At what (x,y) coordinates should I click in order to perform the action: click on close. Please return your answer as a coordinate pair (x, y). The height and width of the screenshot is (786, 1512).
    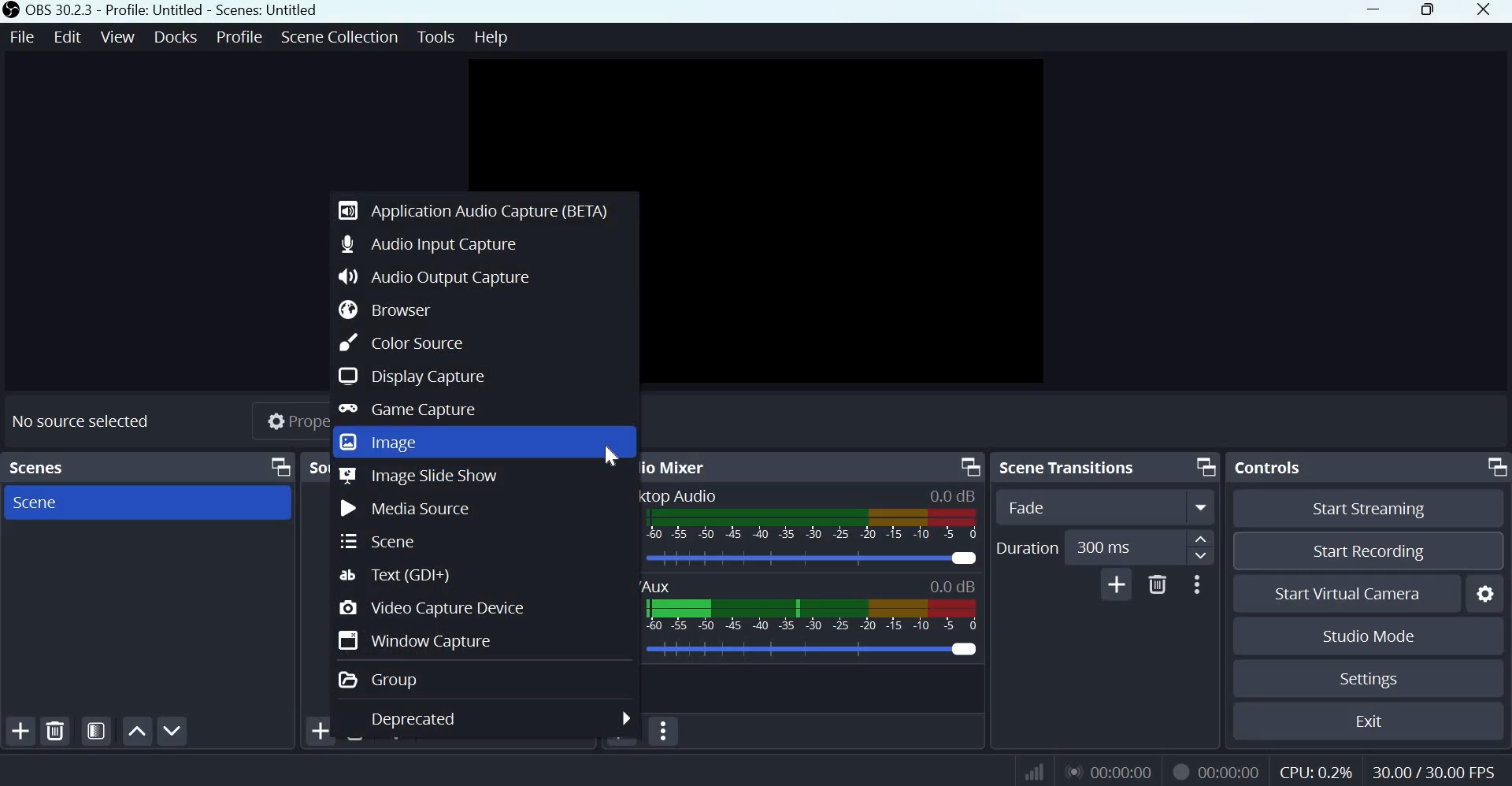
    Looking at the image, I should click on (1488, 13).